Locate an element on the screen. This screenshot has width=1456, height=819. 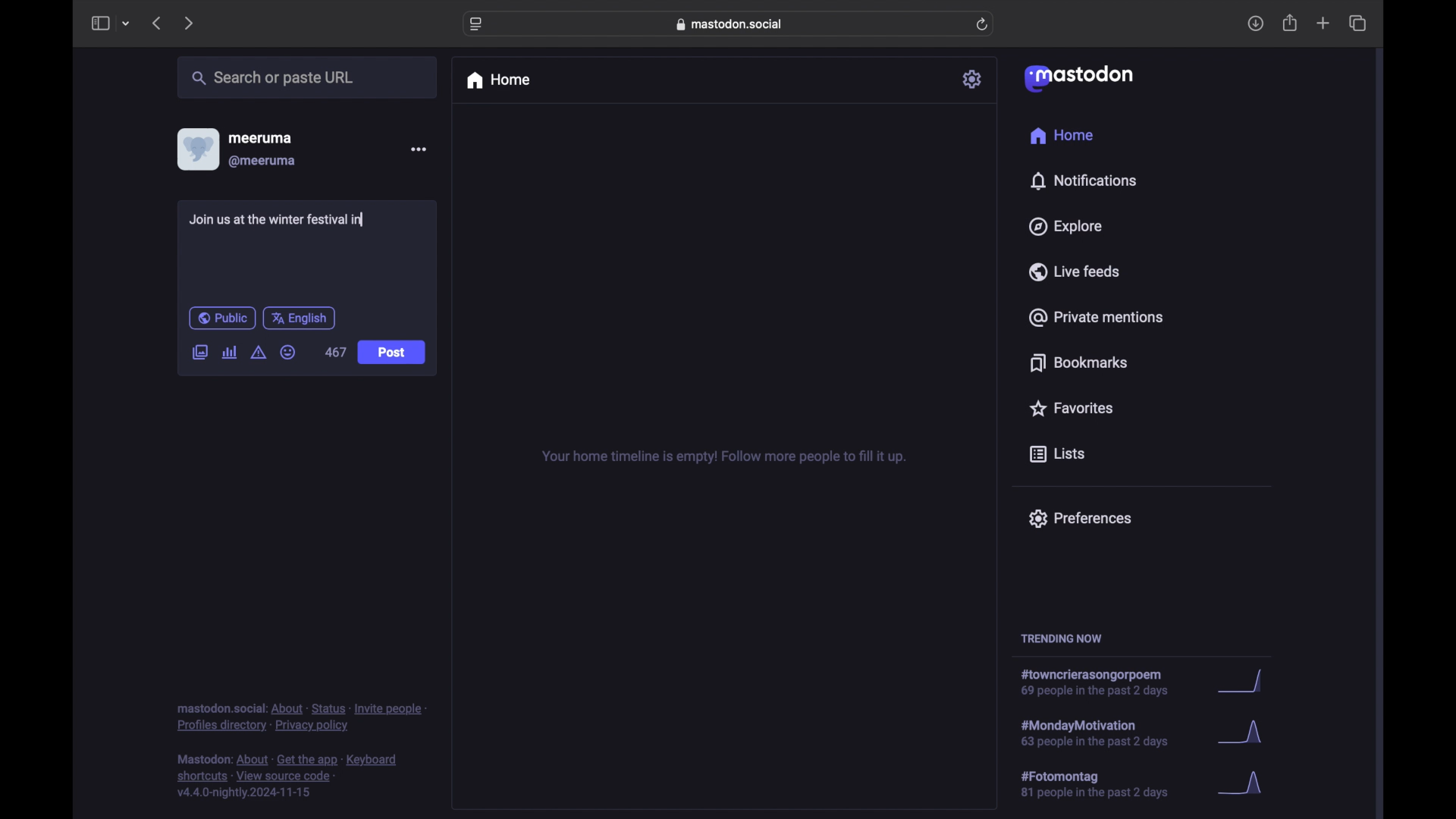
website settings is located at coordinates (478, 24).